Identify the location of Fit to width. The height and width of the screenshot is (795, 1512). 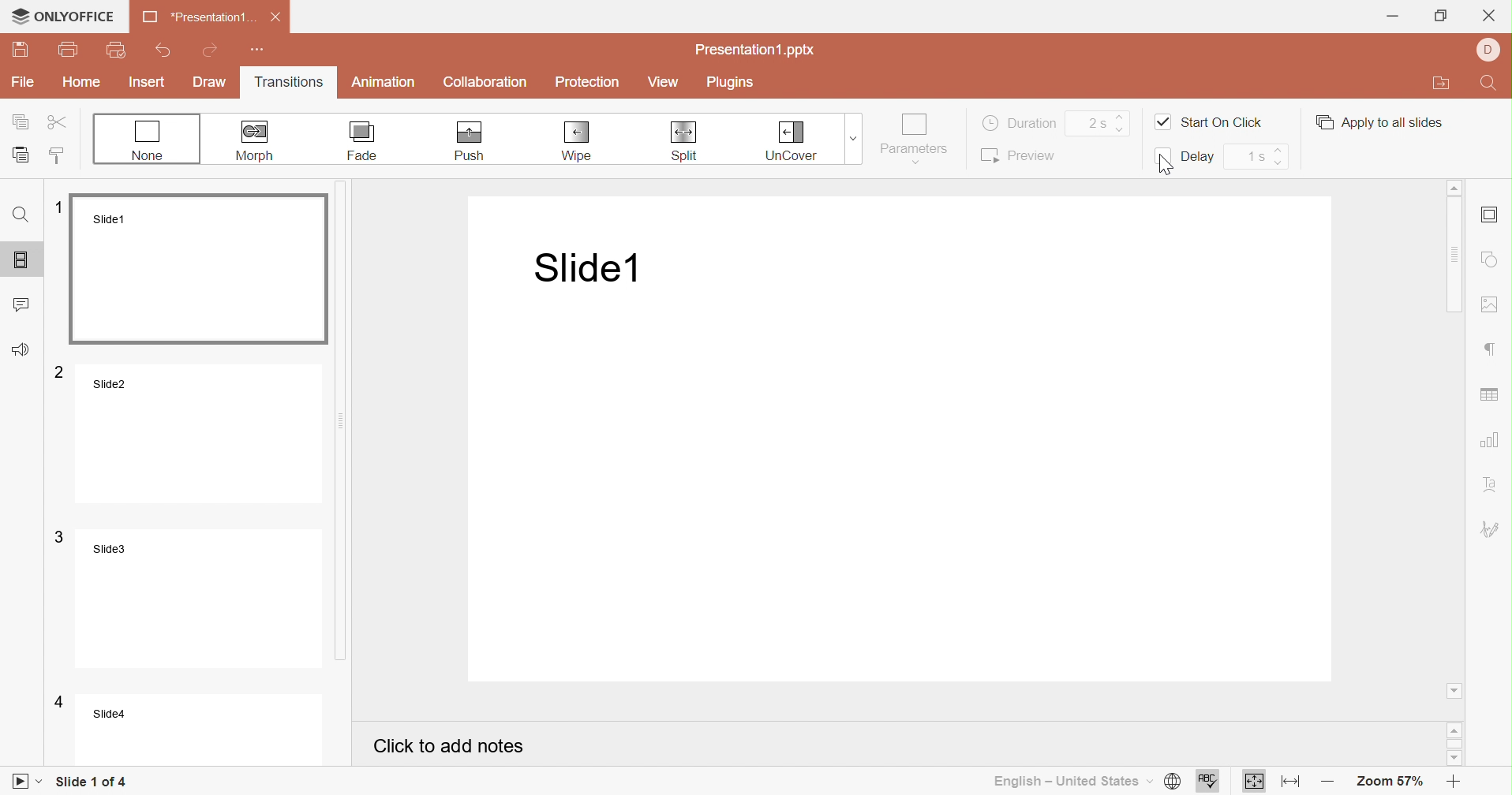
(1293, 783).